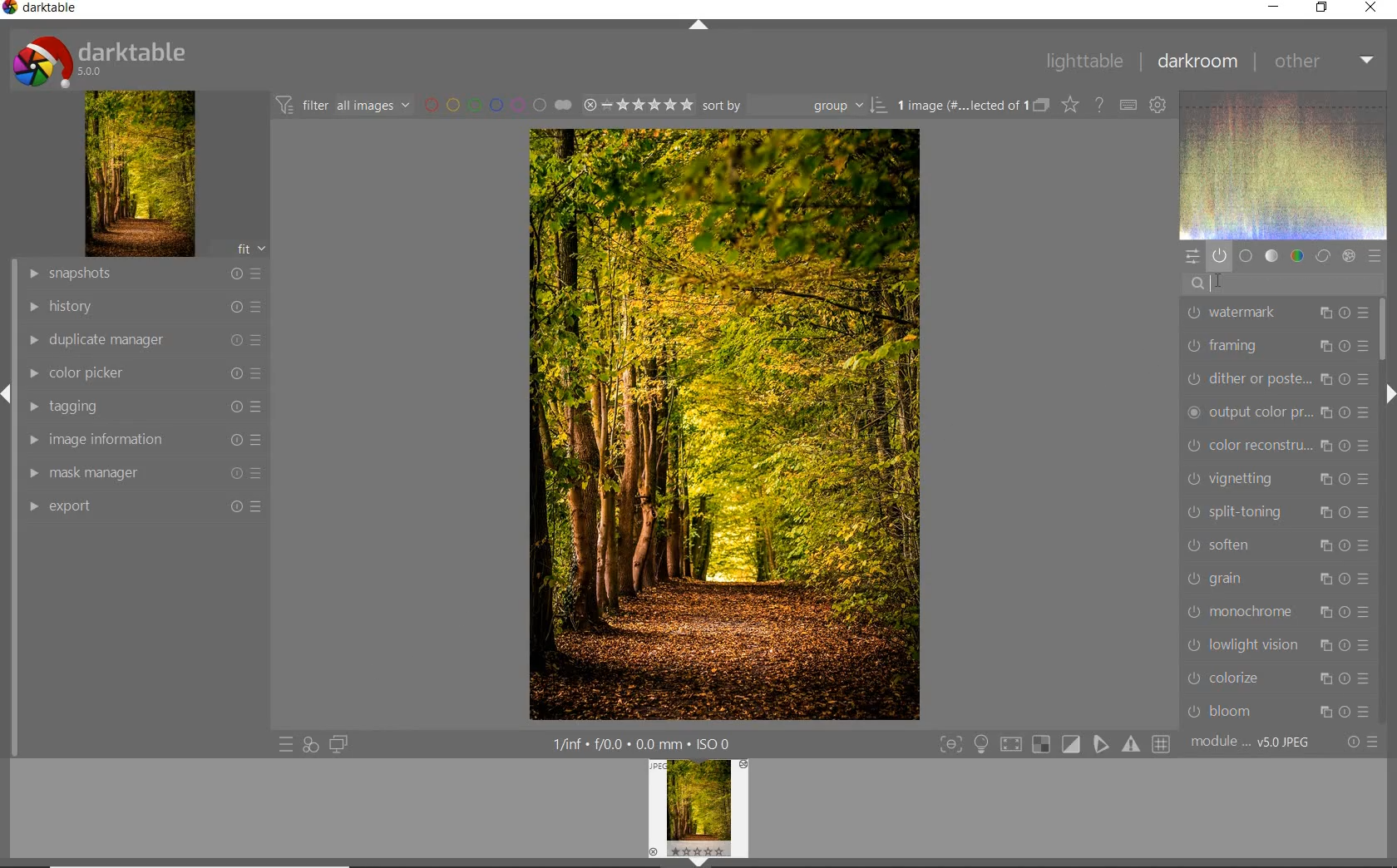 This screenshot has width=1397, height=868. I want to click on show global preference, so click(1159, 106).